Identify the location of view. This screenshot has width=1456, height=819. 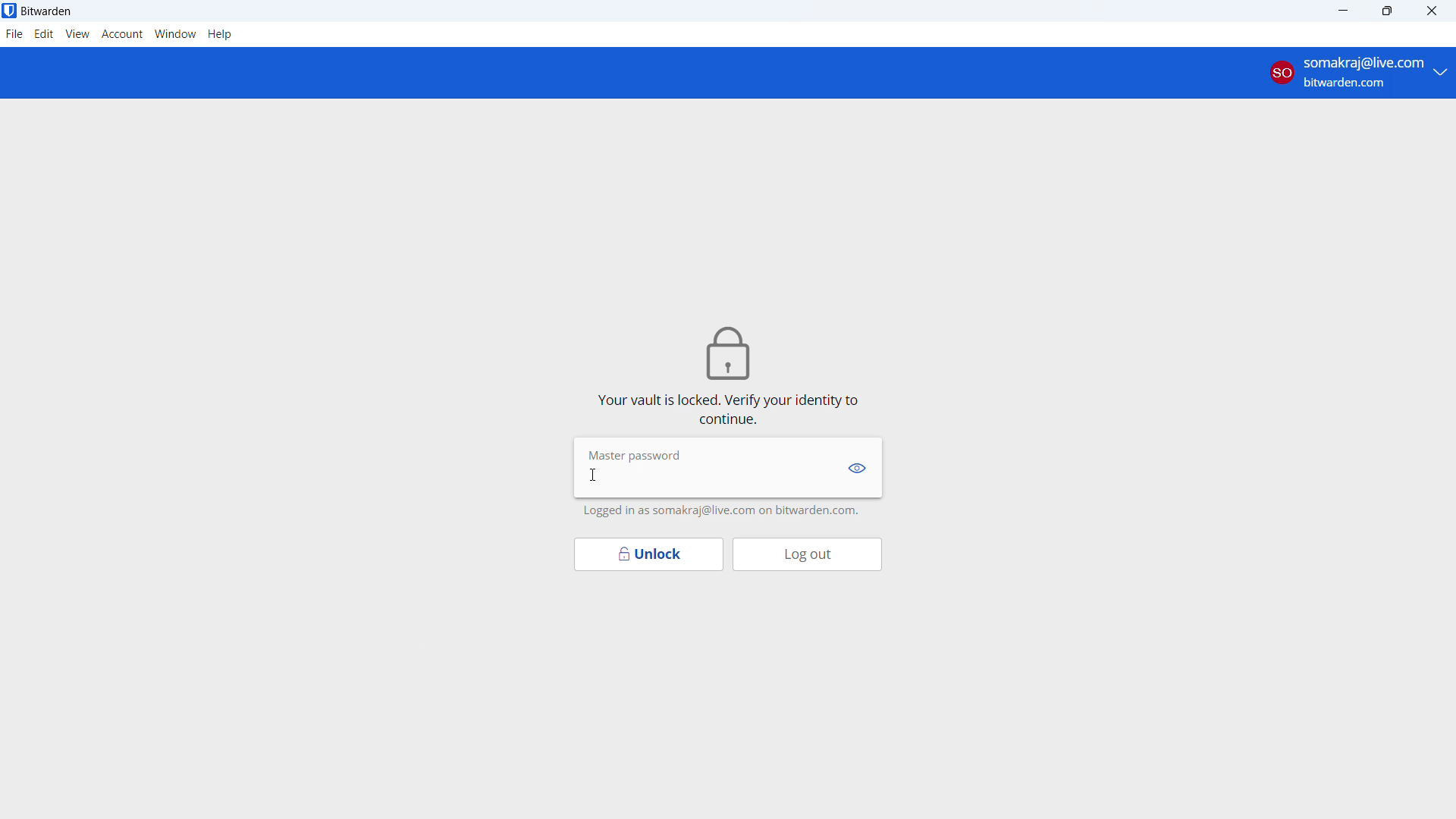
(77, 34).